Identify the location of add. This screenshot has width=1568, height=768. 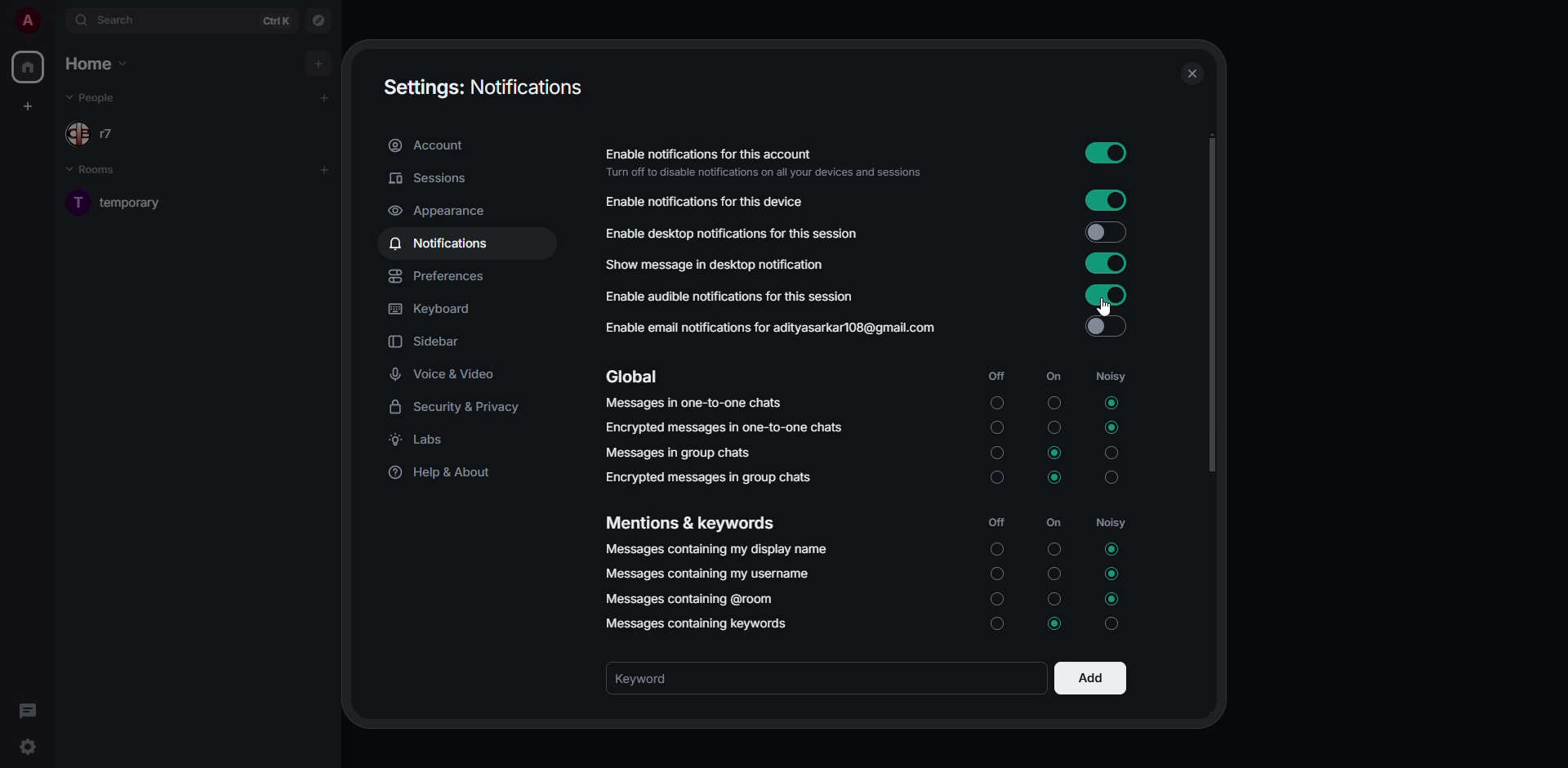
(320, 65).